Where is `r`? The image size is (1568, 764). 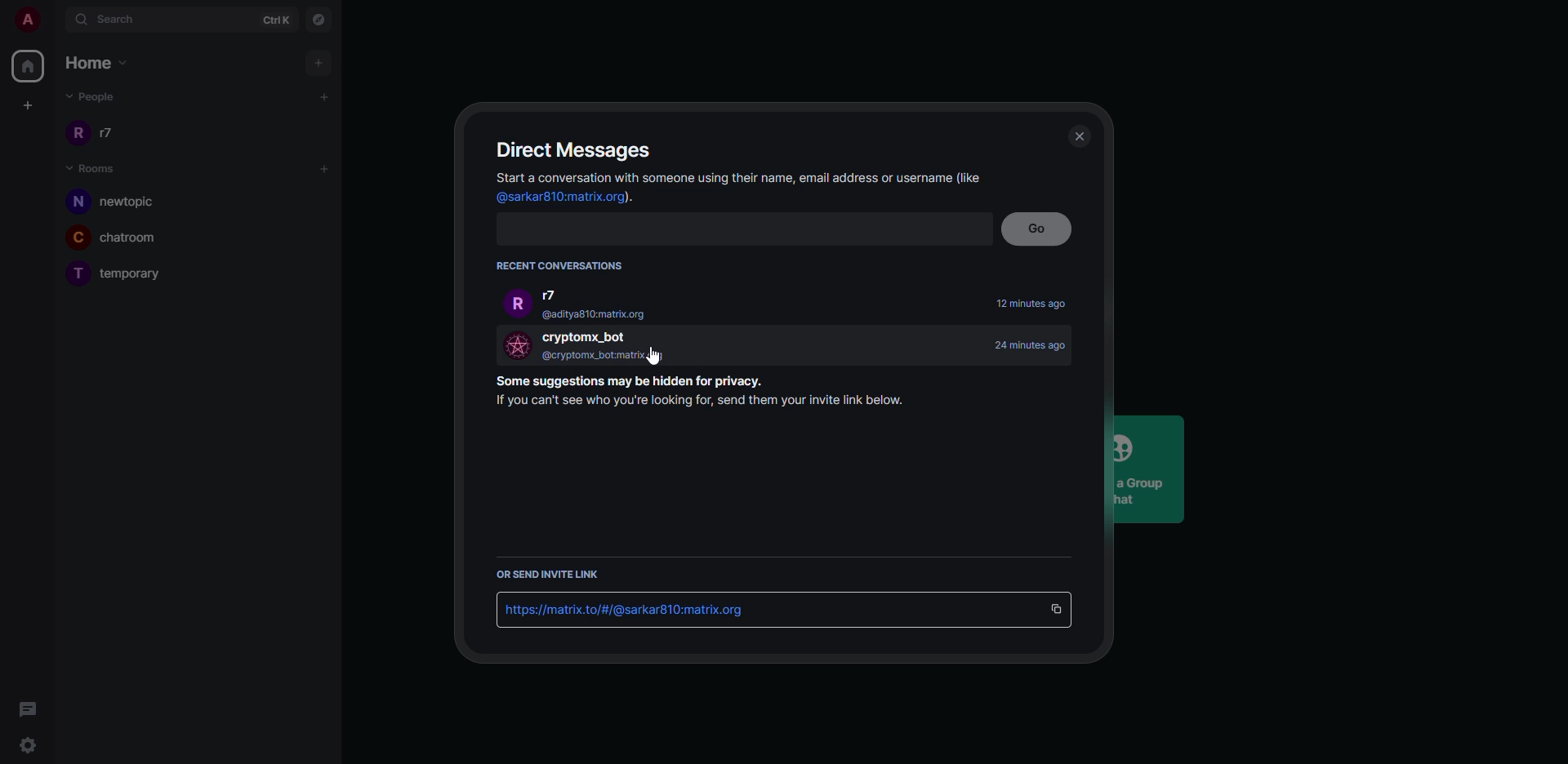 r is located at coordinates (516, 304).